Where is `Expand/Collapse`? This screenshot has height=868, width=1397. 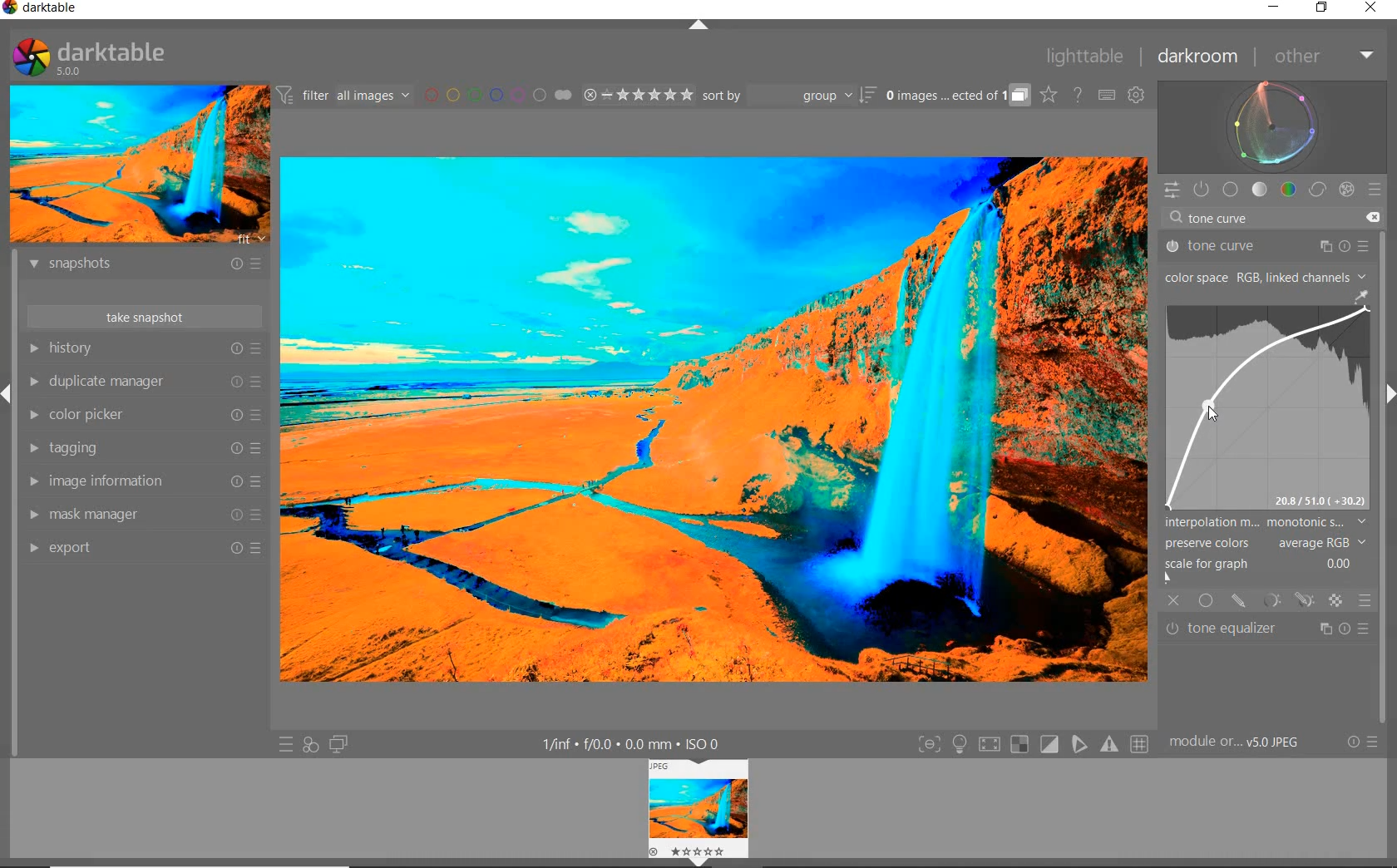
Expand/Collapse is located at coordinates (1389, 395).